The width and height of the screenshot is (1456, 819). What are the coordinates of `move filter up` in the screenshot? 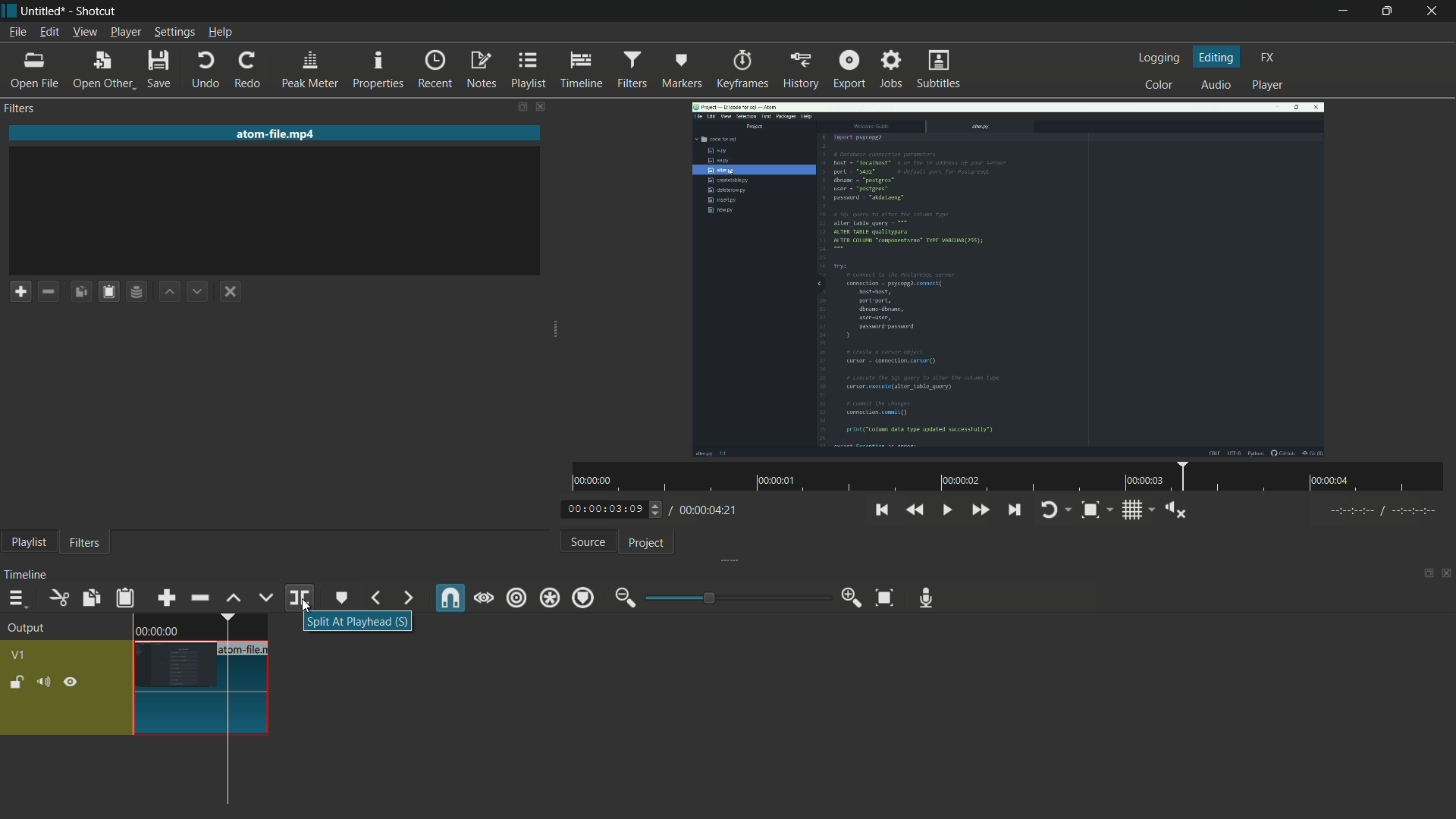 It's located at (171, 291).